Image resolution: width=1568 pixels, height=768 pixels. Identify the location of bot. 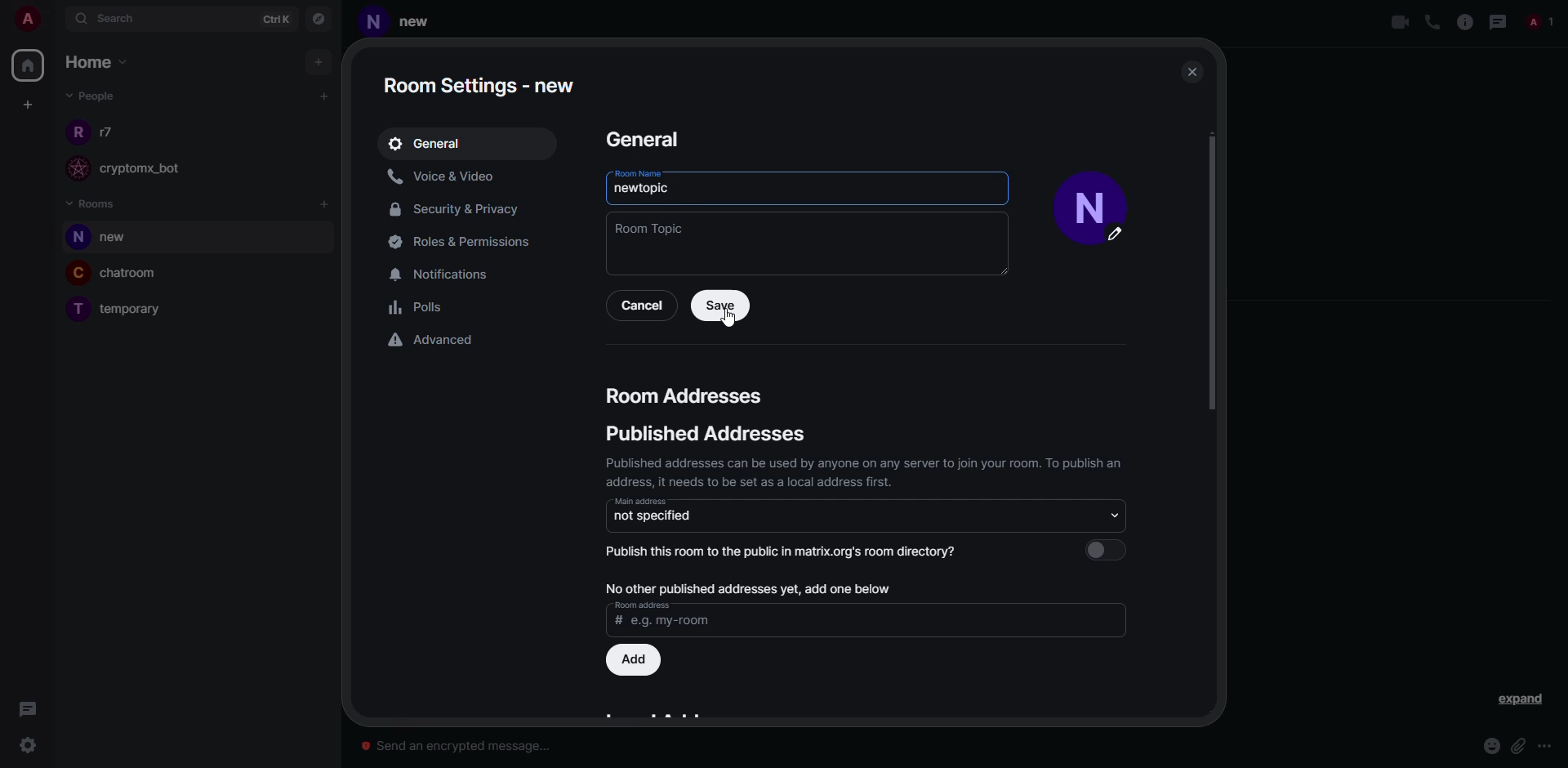
(156, 170).